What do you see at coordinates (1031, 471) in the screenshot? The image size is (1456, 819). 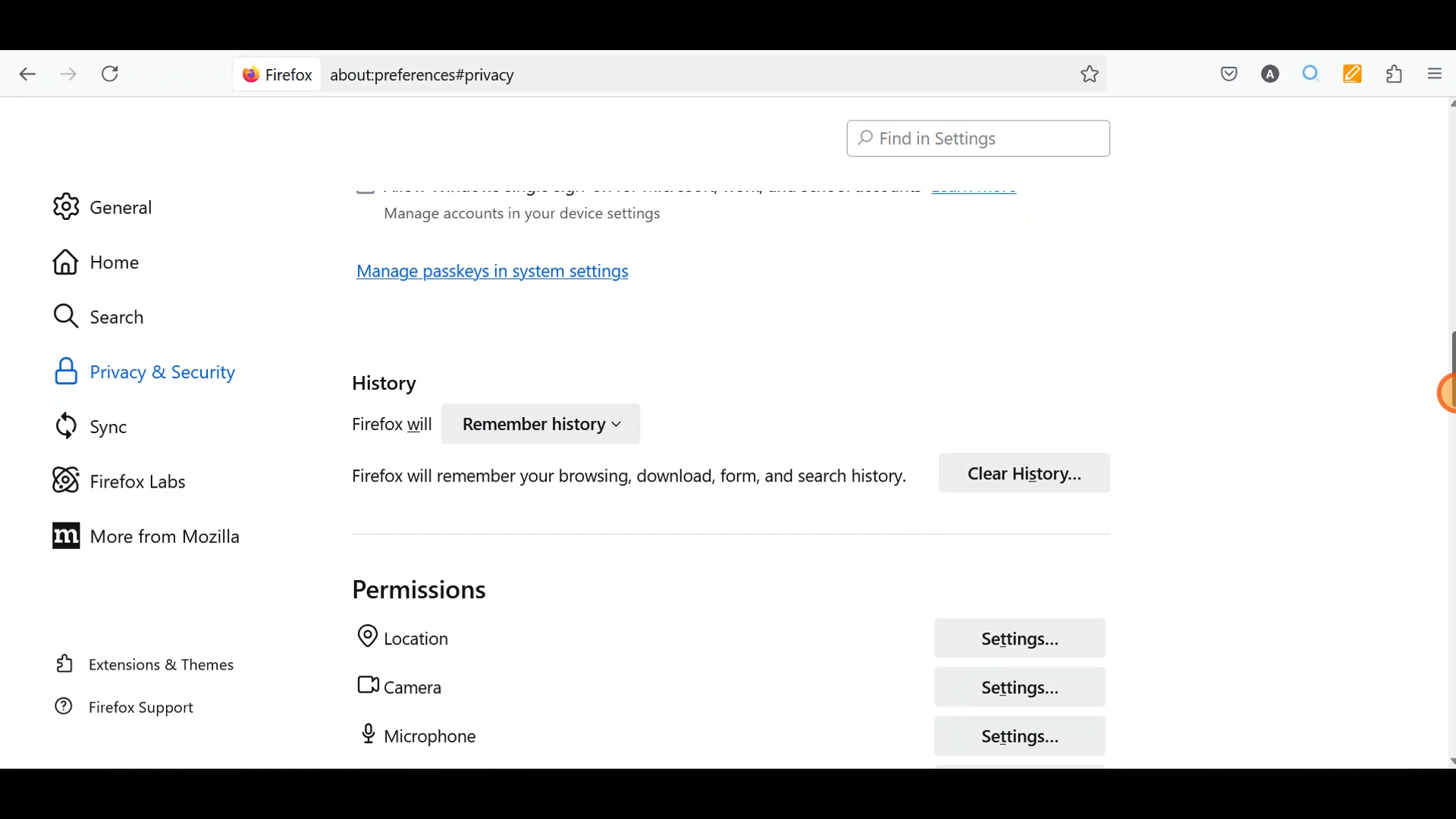 I see `Clear history` at bounding box center [1031, 471].